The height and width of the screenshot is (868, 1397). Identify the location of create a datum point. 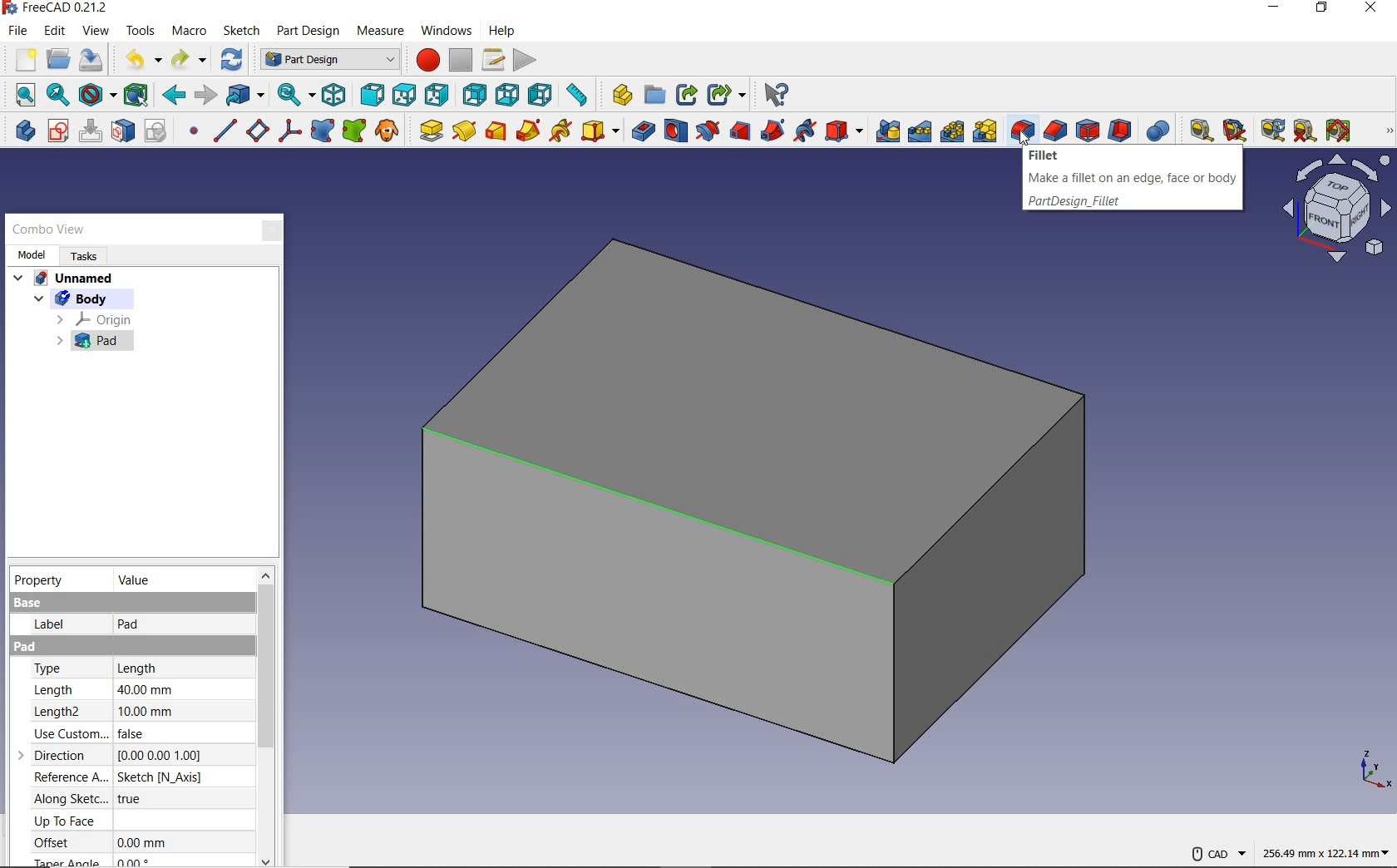
(190, 131).